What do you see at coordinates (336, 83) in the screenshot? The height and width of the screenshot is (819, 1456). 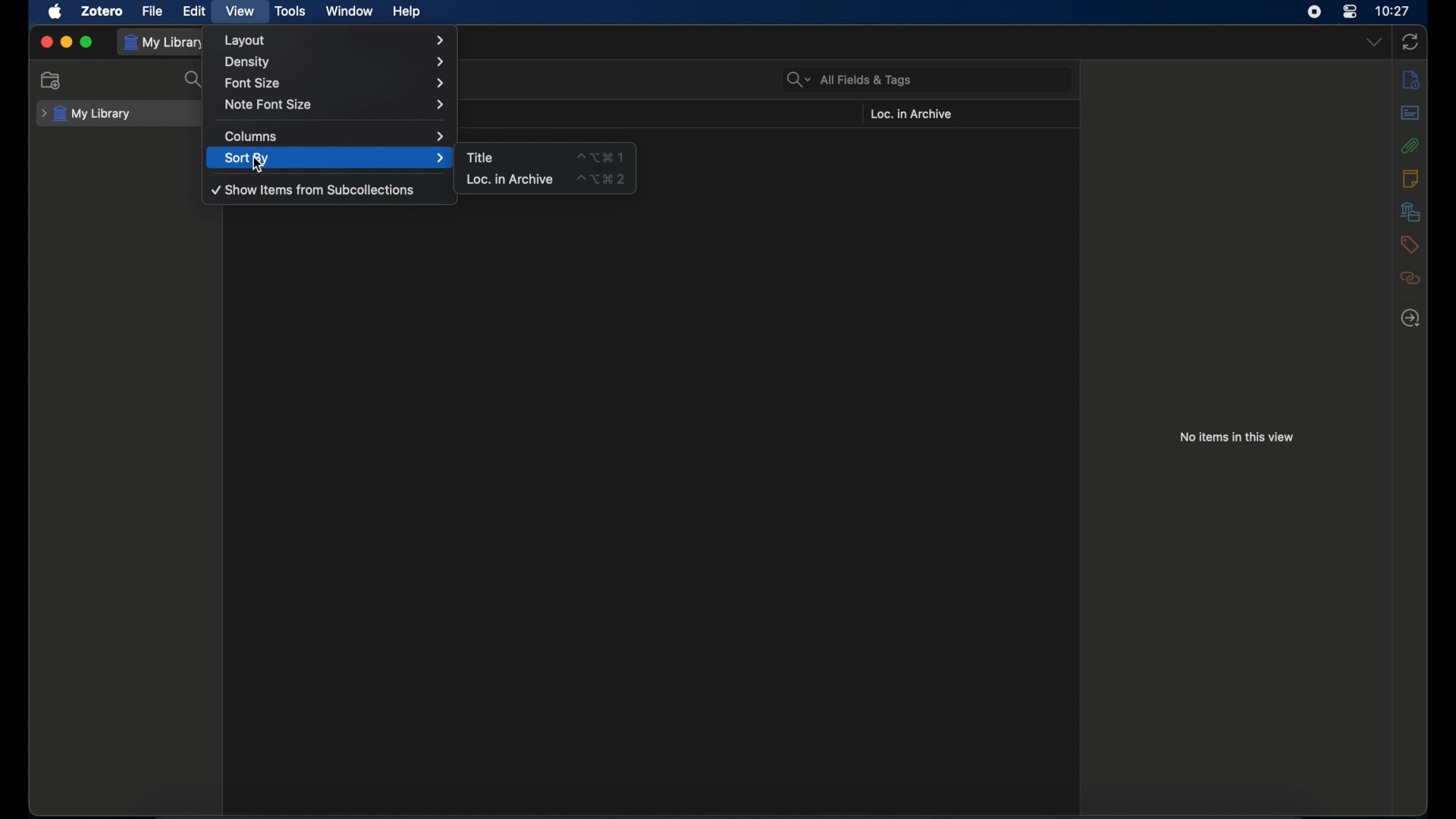 I see `font size` at bounding box center [336, 83].